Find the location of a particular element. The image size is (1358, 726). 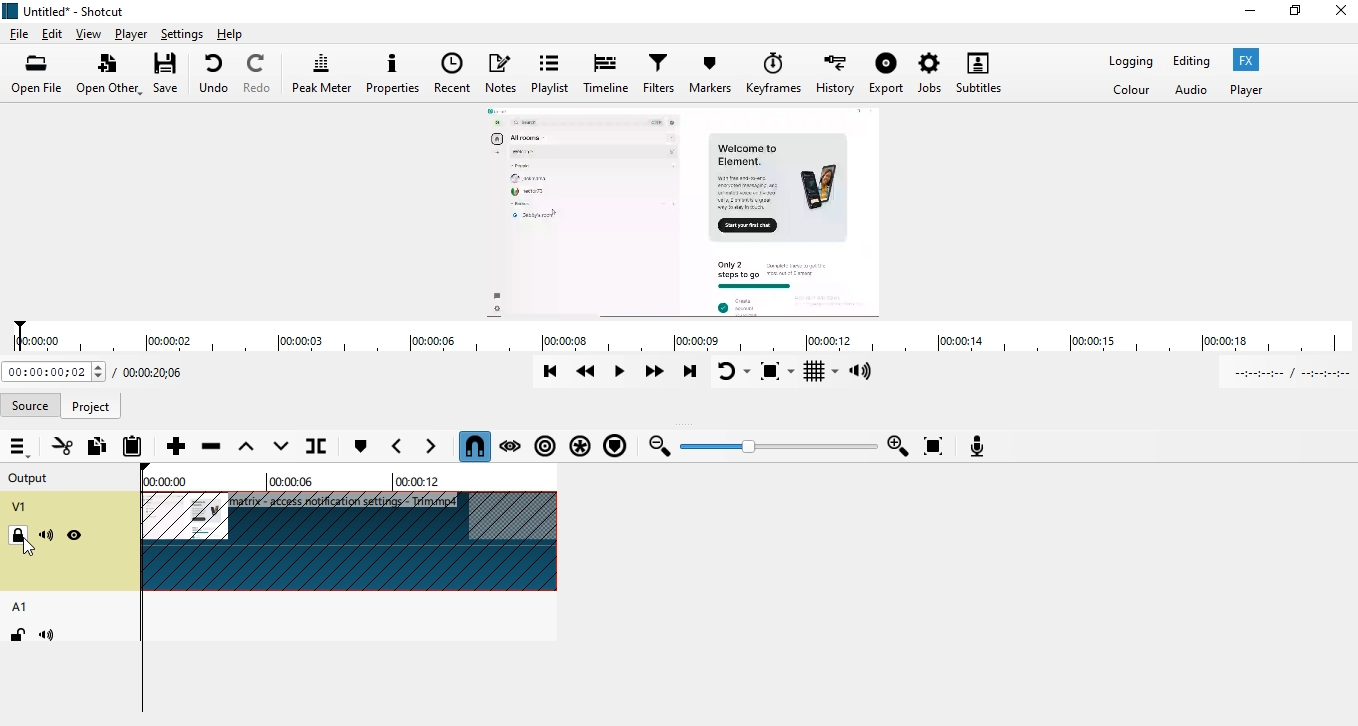

save is located at coordinates (170, 74).